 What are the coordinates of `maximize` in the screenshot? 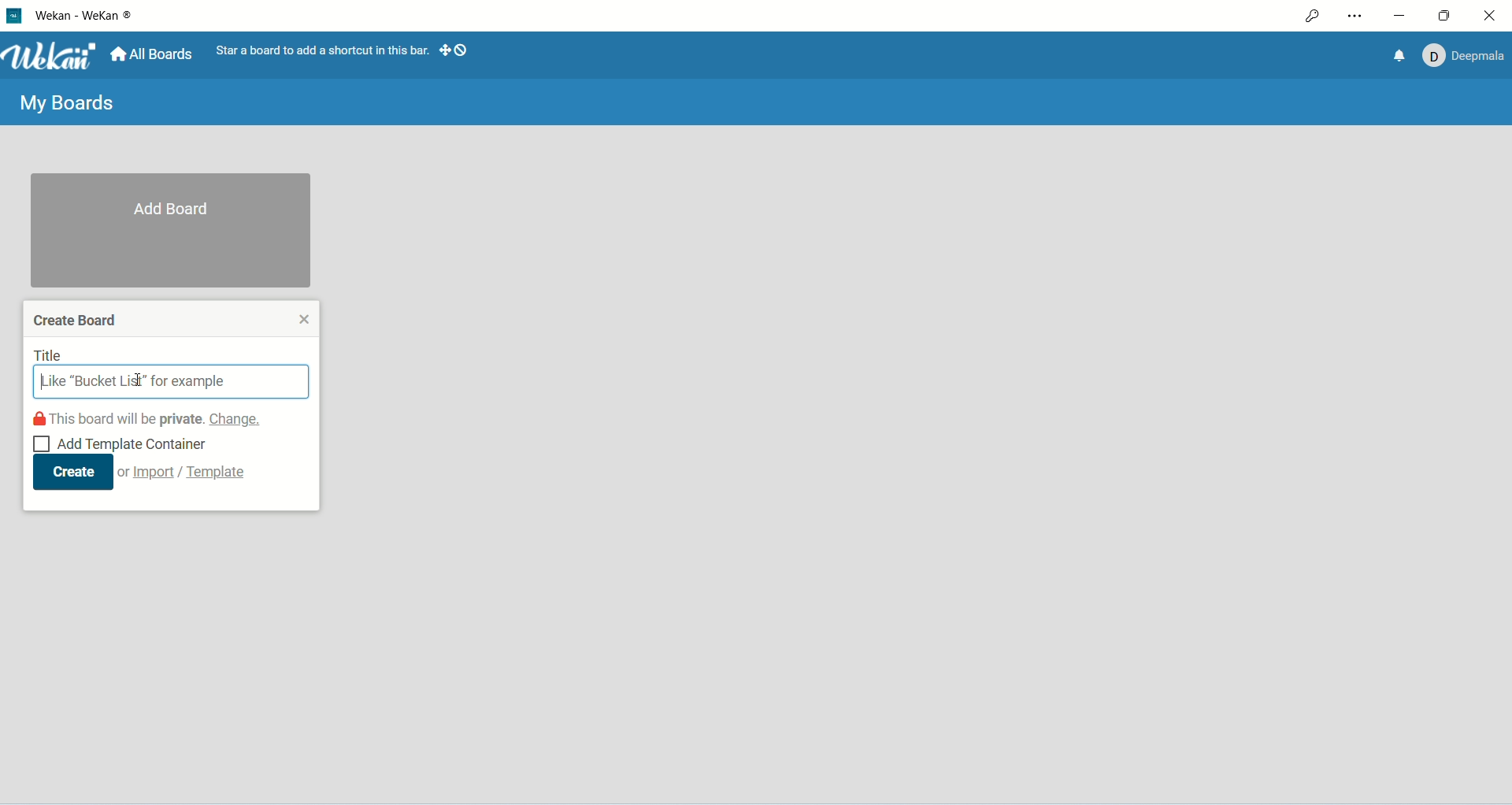 It's located at (1444, 18).